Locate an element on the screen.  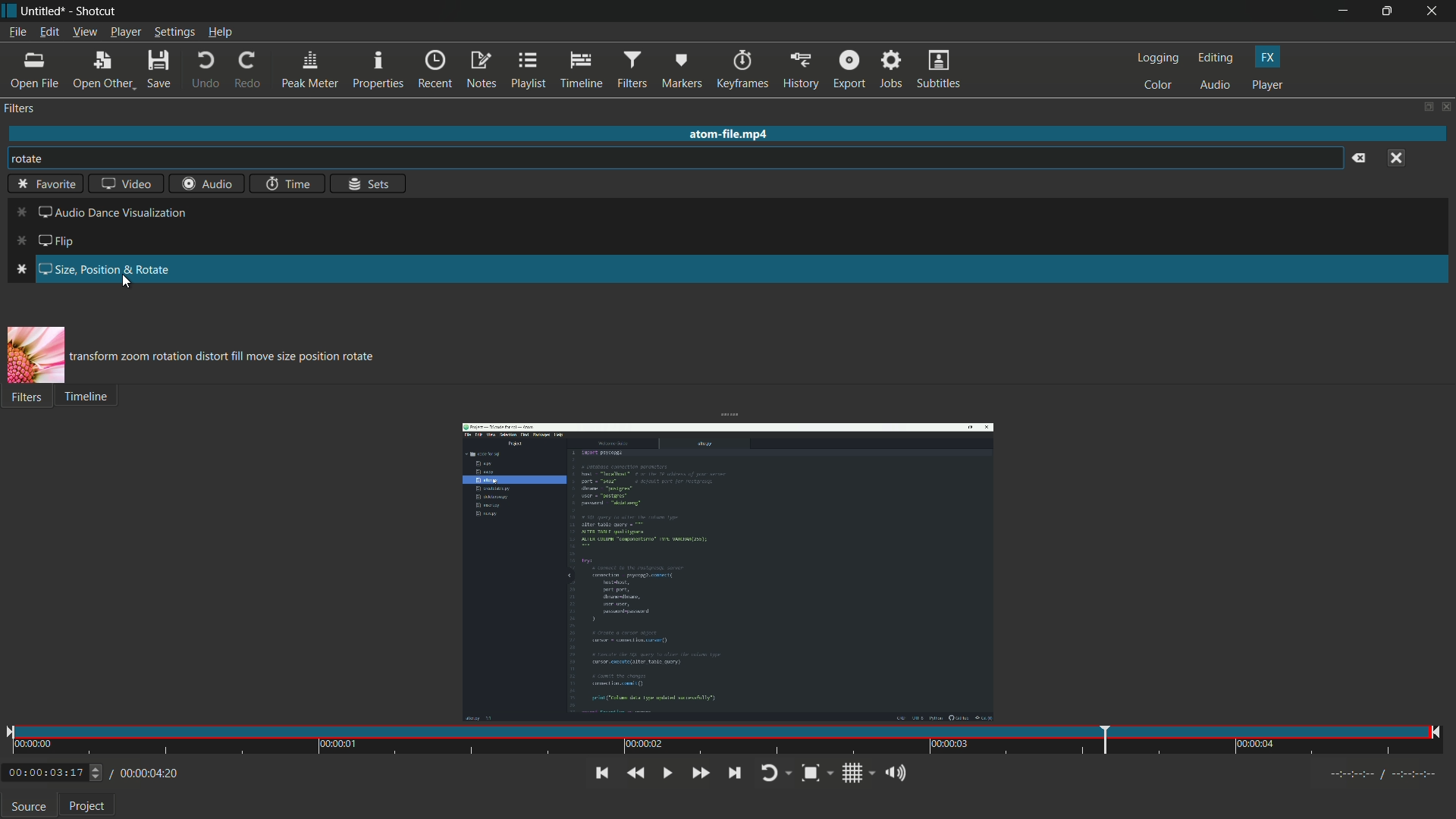
Timeline is located at coordinates (102, 401).